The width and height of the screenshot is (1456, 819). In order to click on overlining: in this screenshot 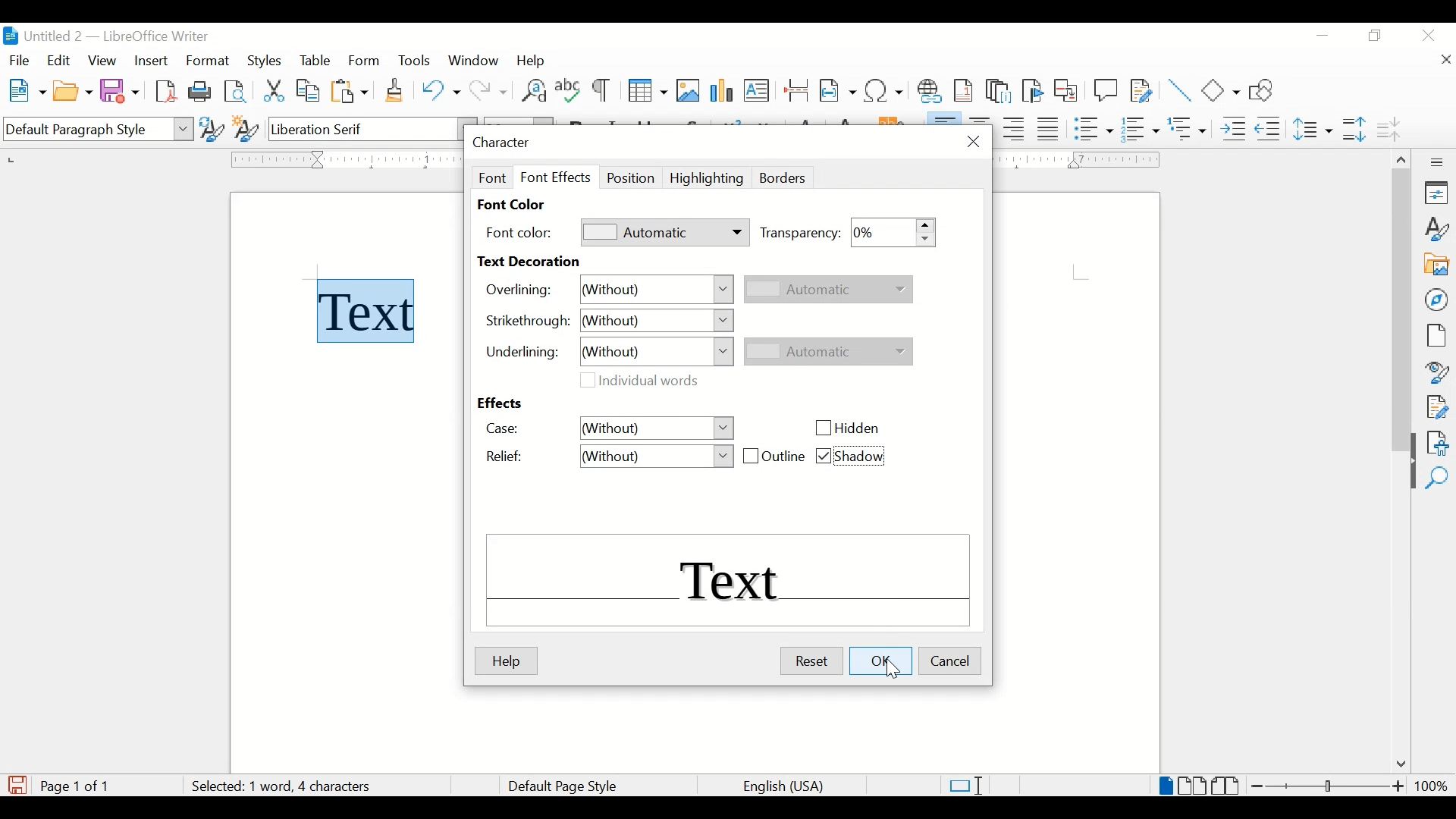, I will do `click(521, 292)`.